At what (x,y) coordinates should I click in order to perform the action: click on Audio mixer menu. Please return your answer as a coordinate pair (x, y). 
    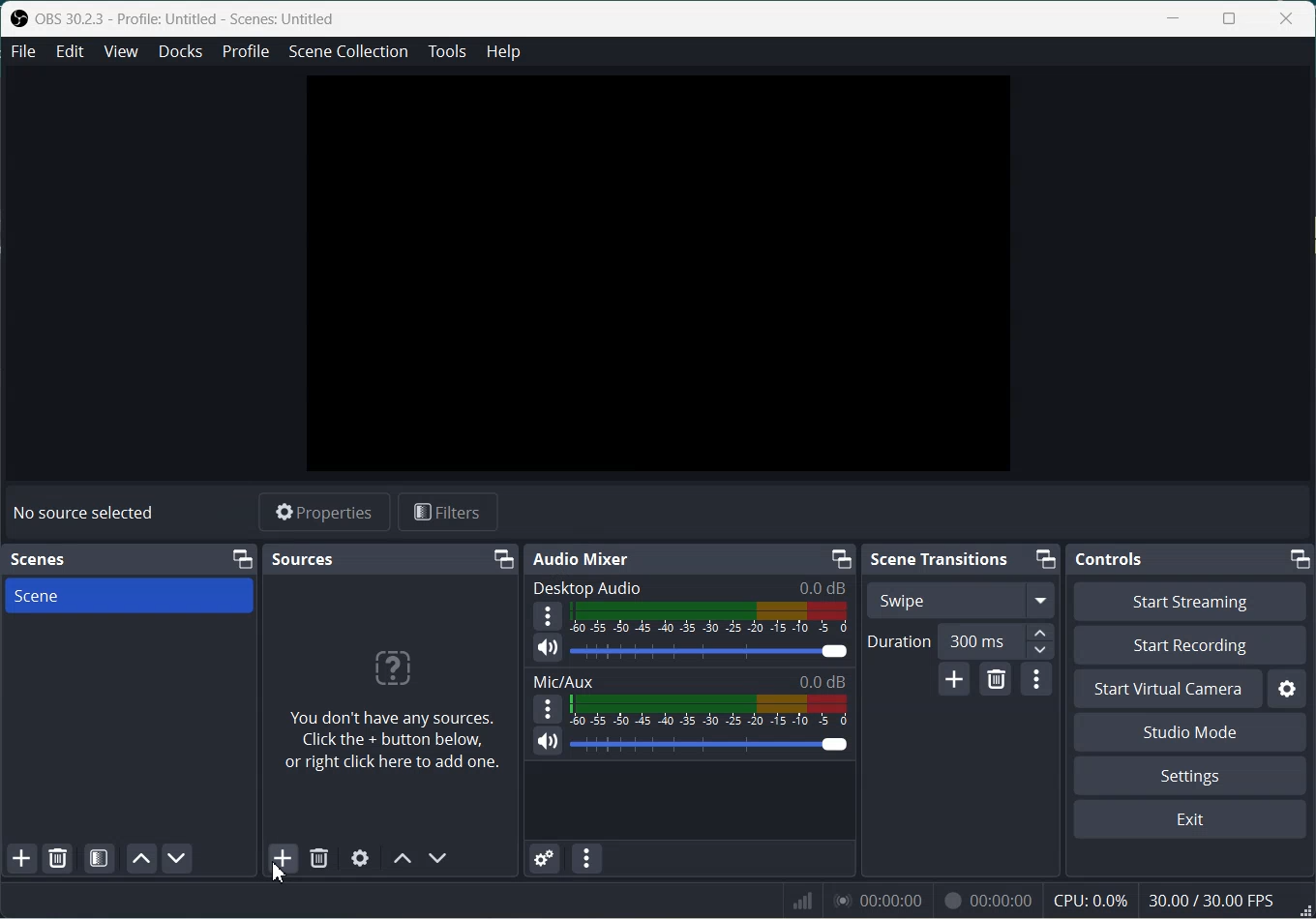
    Looking at the image, I should click on (585, 858).